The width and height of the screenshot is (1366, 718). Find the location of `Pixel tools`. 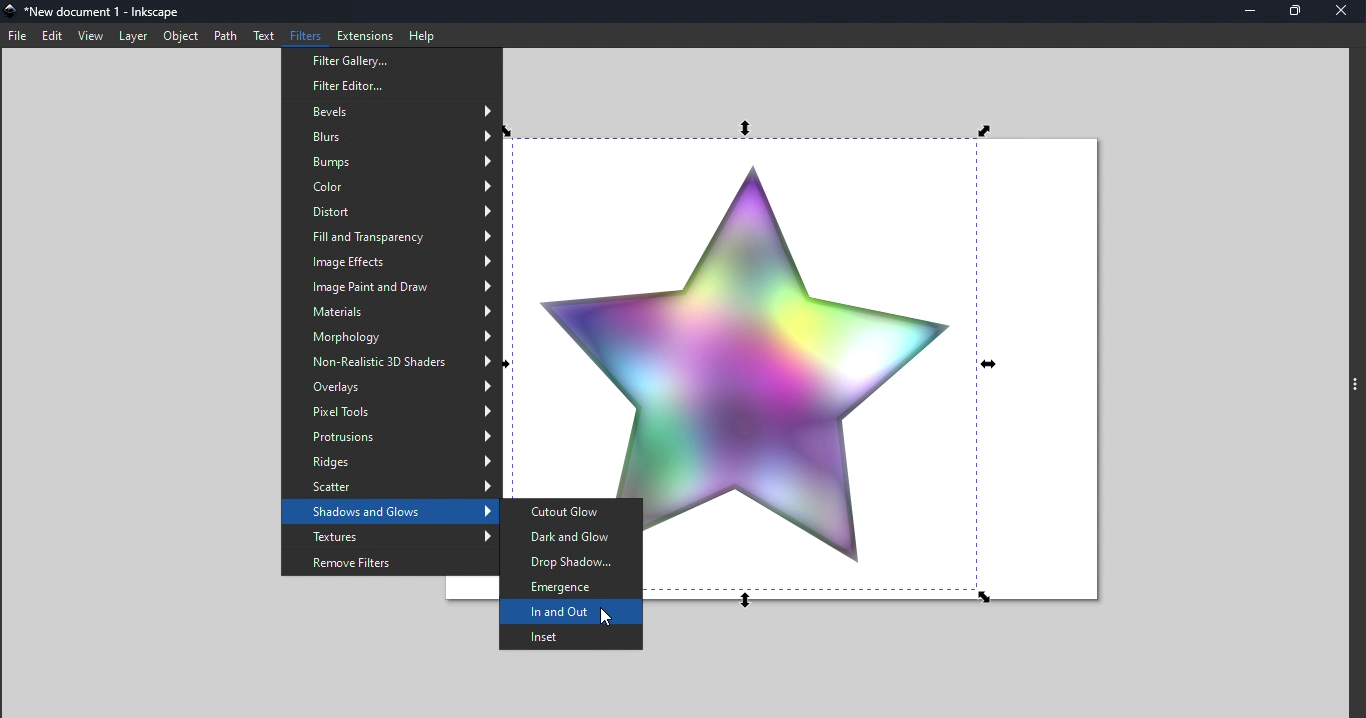

Pixel tools is located at coordinates (391, 413).